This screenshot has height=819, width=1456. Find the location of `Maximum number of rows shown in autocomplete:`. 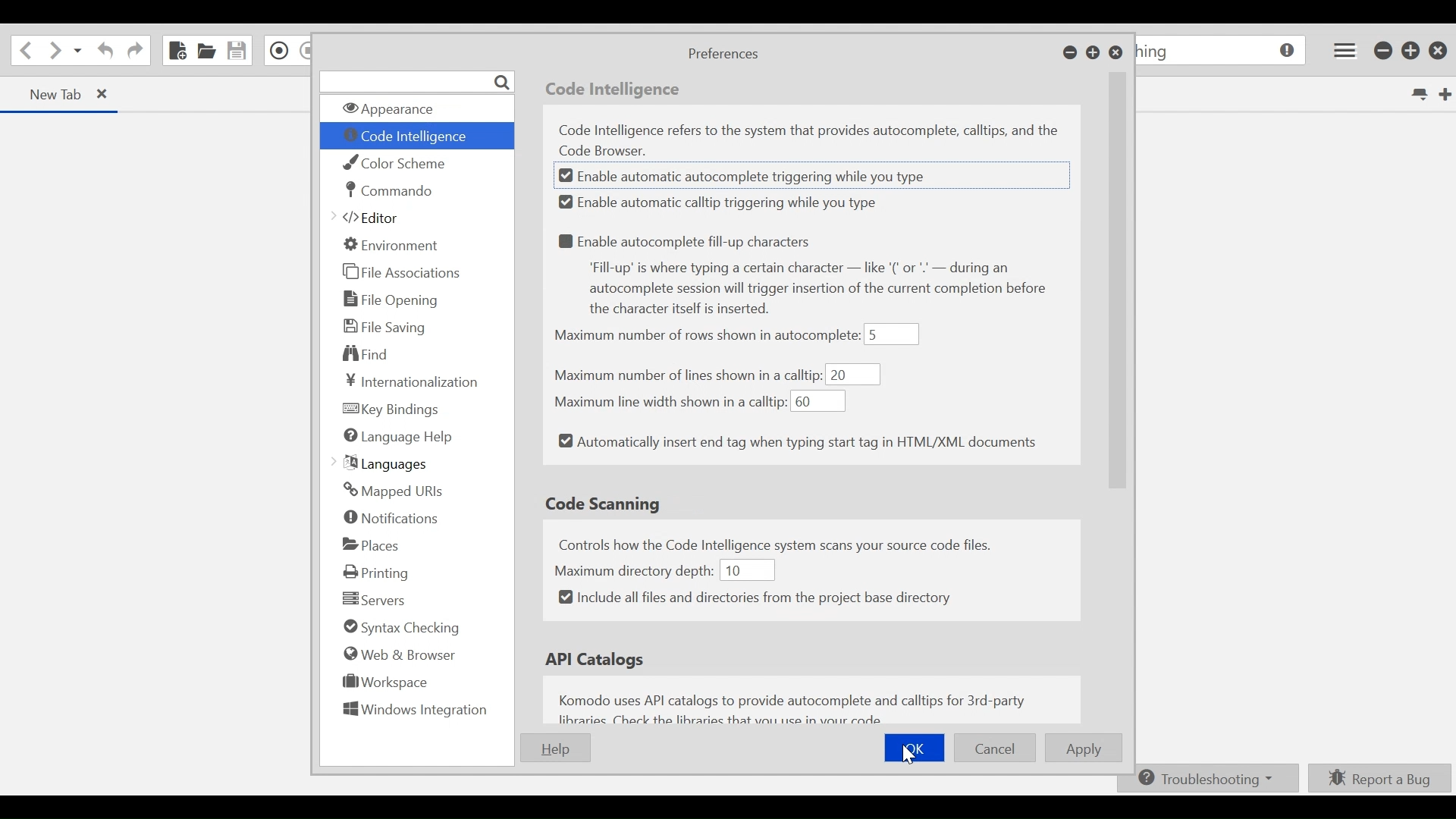

Maximum number of rows shown in autocomplete: is located at coordinates (707, 337).